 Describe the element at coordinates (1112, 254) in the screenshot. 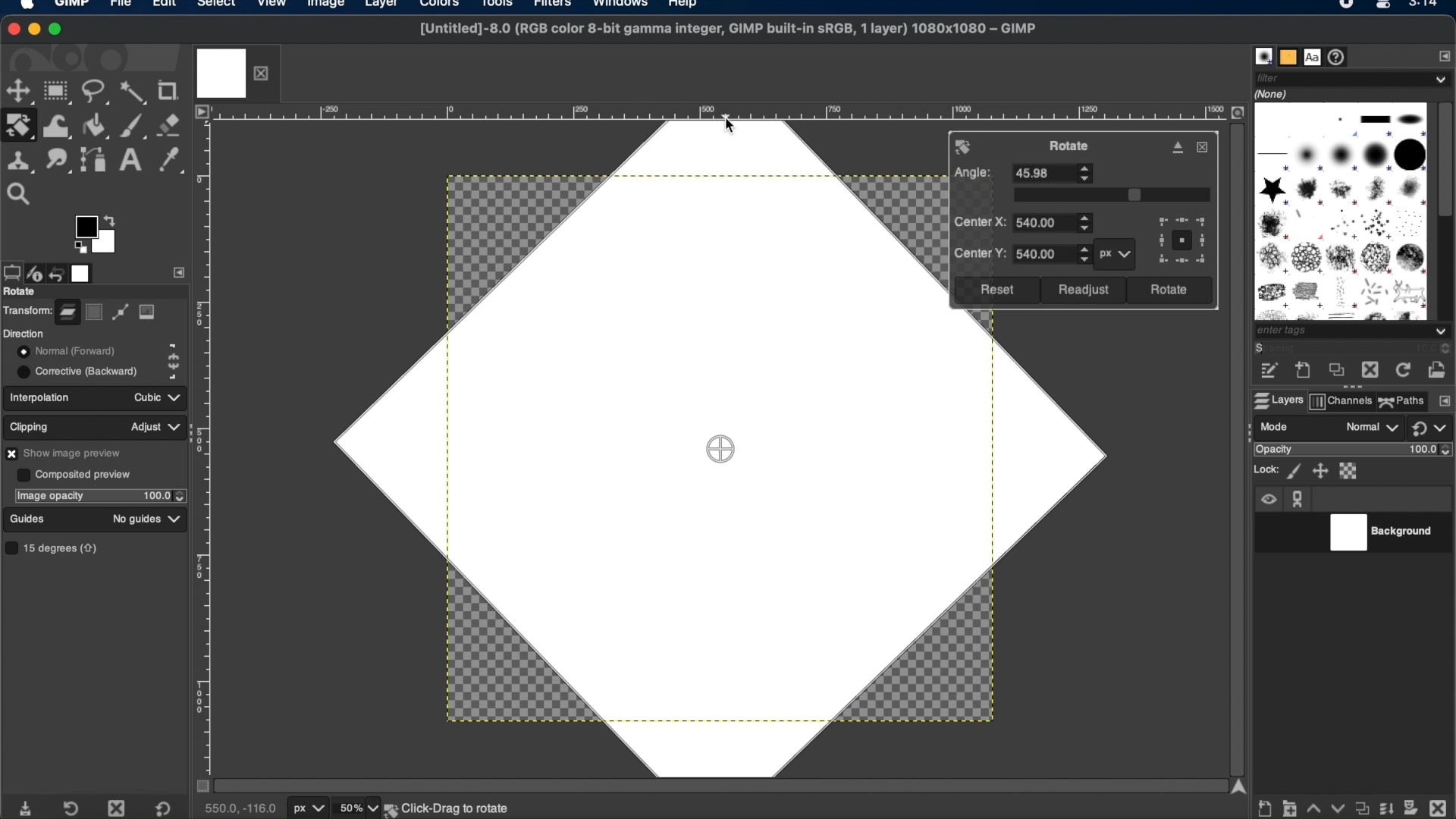

I see `px` at that location.